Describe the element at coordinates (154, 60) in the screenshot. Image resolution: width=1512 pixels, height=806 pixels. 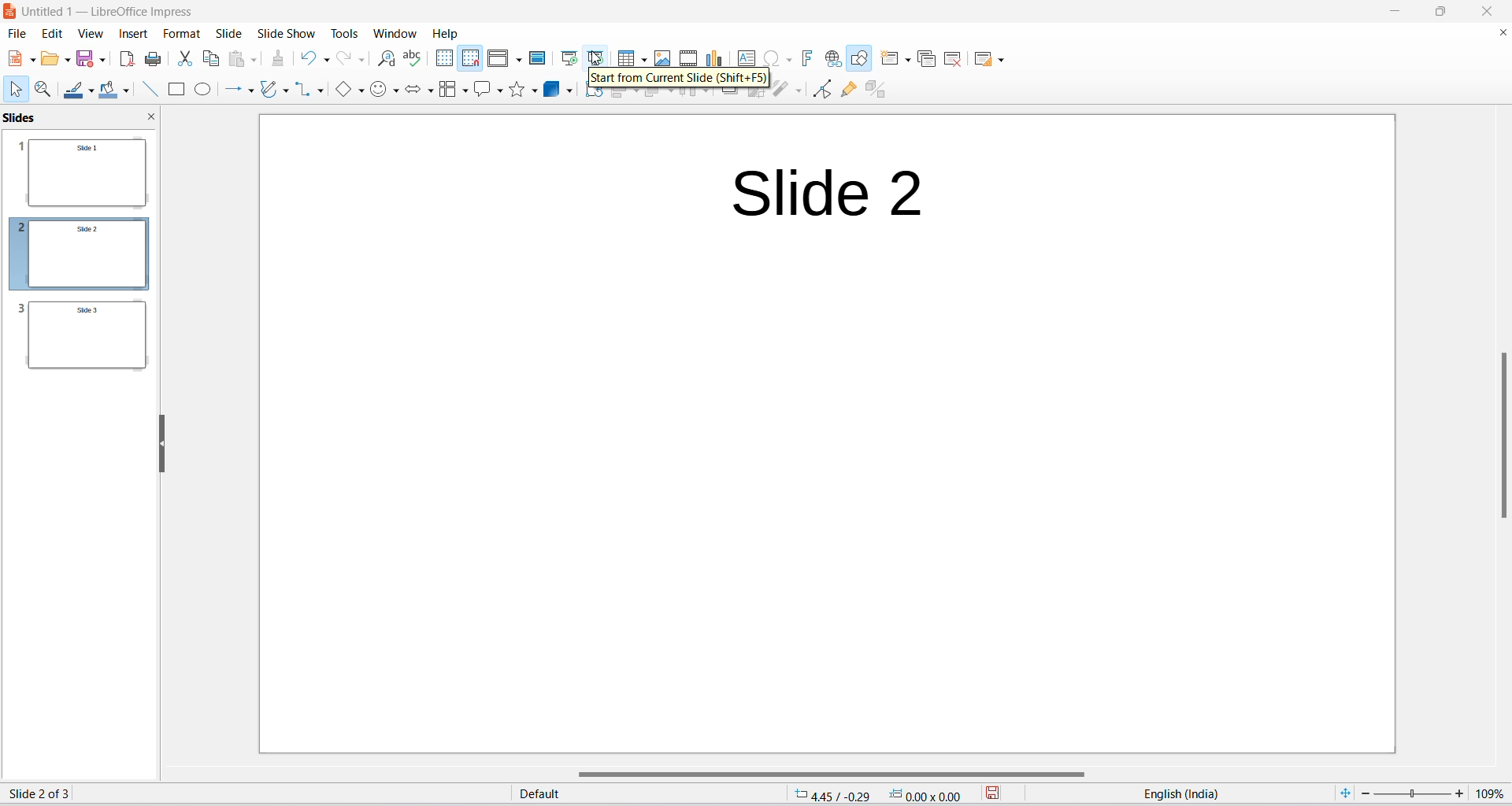
I see `print` at that location.